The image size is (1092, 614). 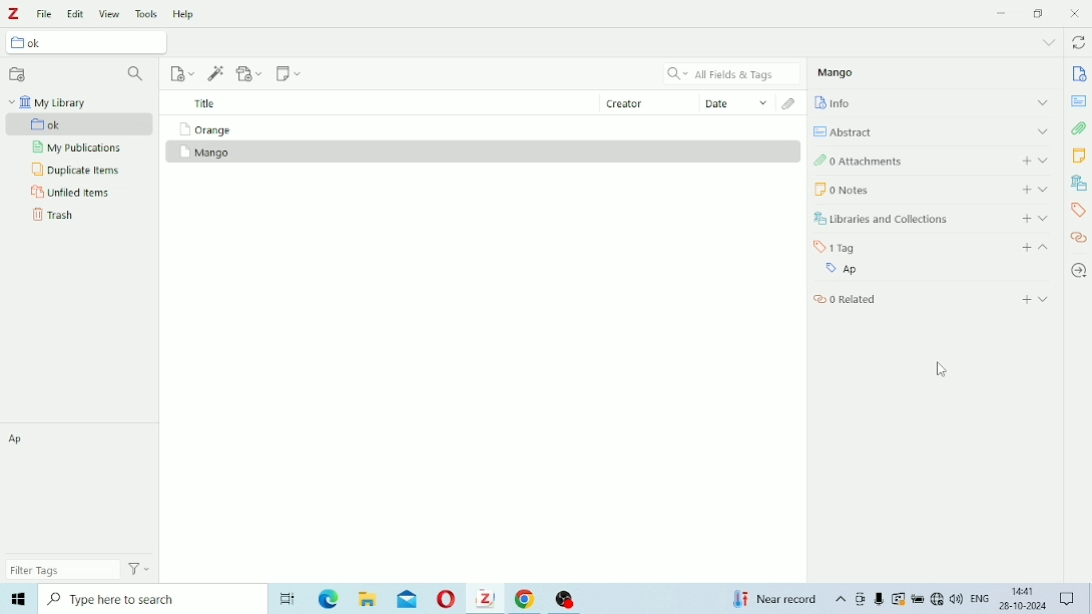 What do you see at coordinates (487, 599) in the screenshot?
I see `Zotero` at bounding box center [487, 599].